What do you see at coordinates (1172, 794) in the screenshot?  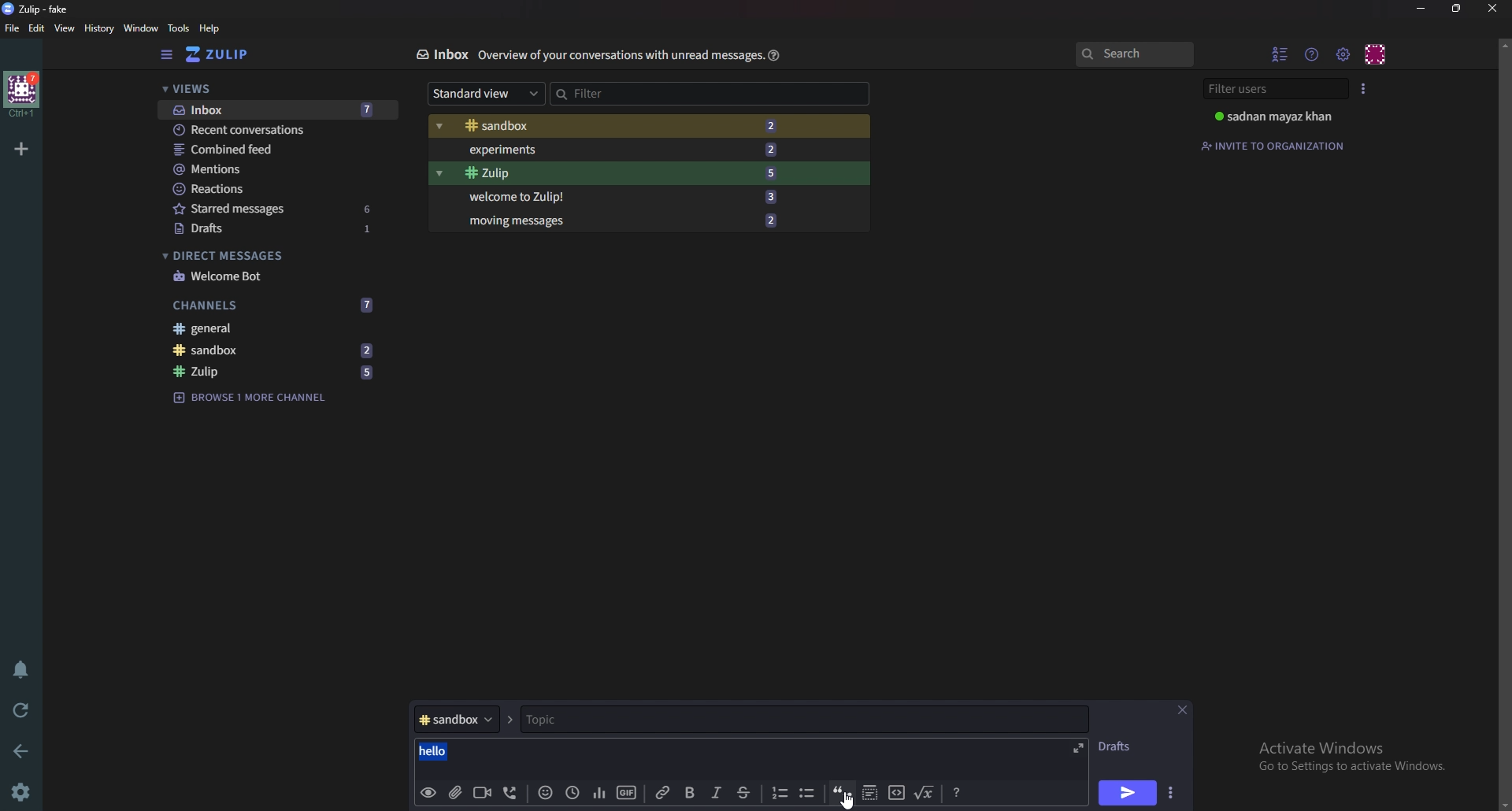 I see `send options` at bounding box center [1172, 794].